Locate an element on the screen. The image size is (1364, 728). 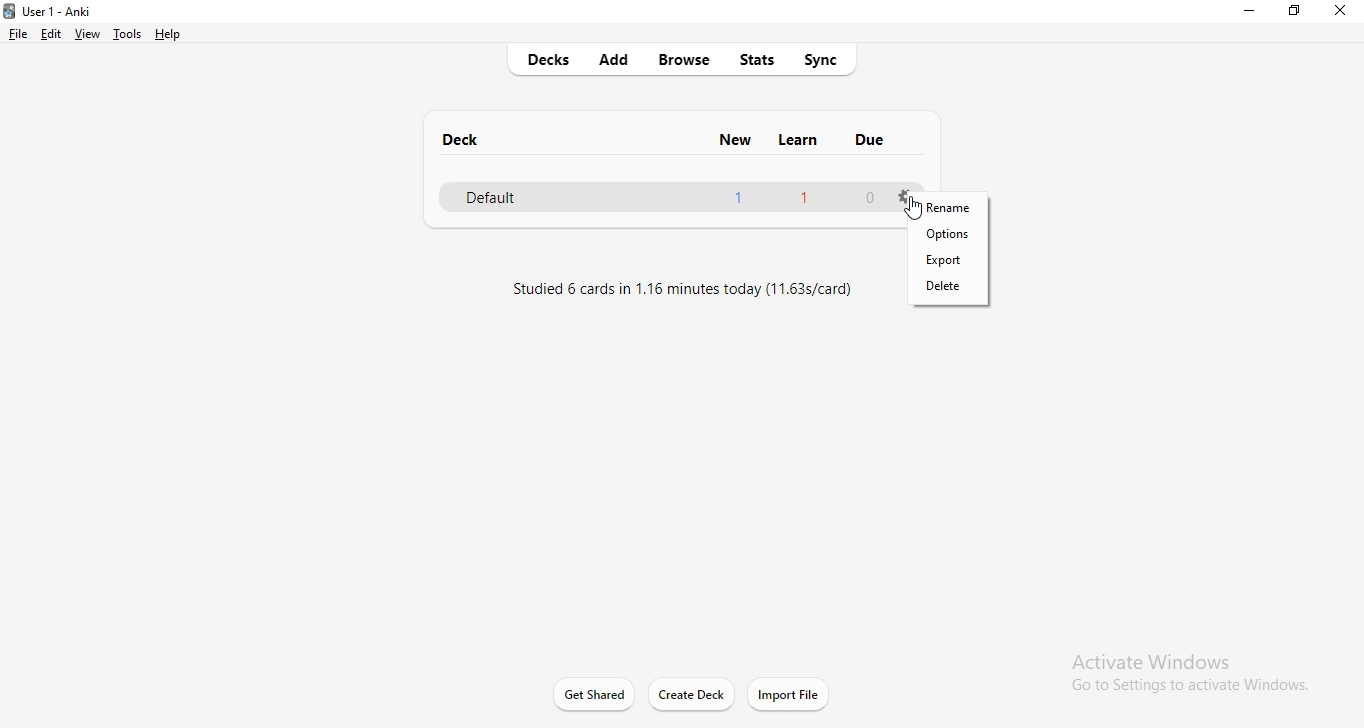
deck is located at coordinates (455, 137).